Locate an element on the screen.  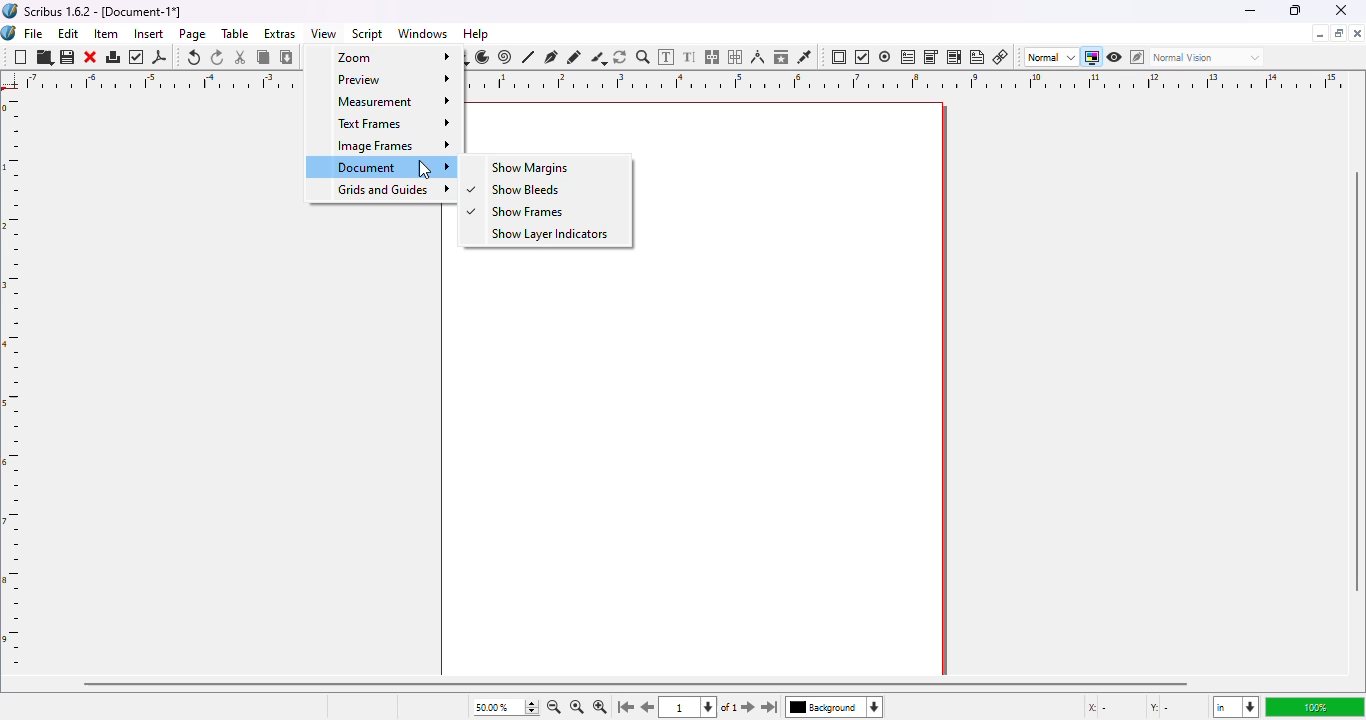
zoom to 100% is located at coordinates (575, 708).